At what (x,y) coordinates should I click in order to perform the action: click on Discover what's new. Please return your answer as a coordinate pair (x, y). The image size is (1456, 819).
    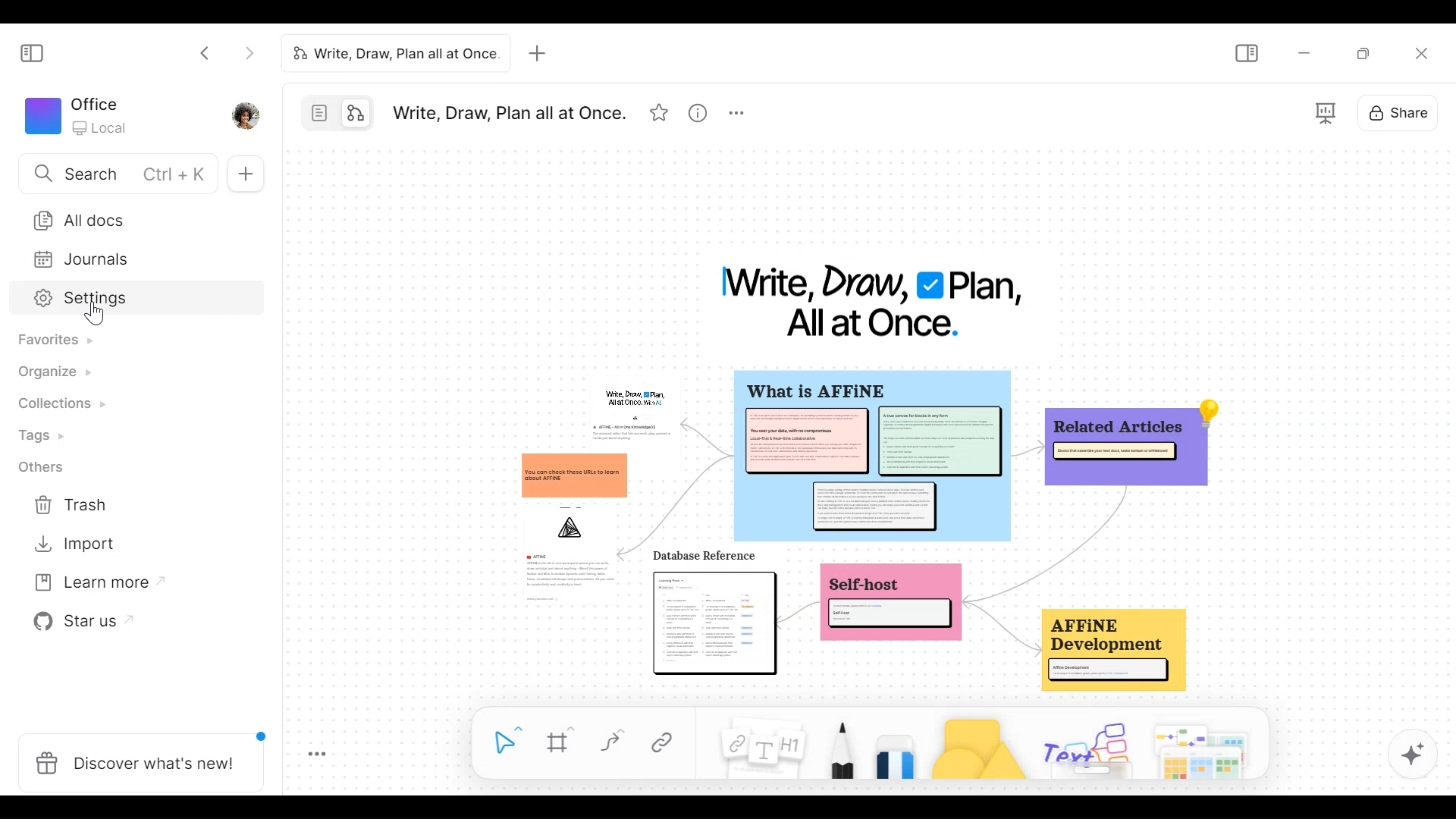
    Looking at the image, I should click on (134, 762).